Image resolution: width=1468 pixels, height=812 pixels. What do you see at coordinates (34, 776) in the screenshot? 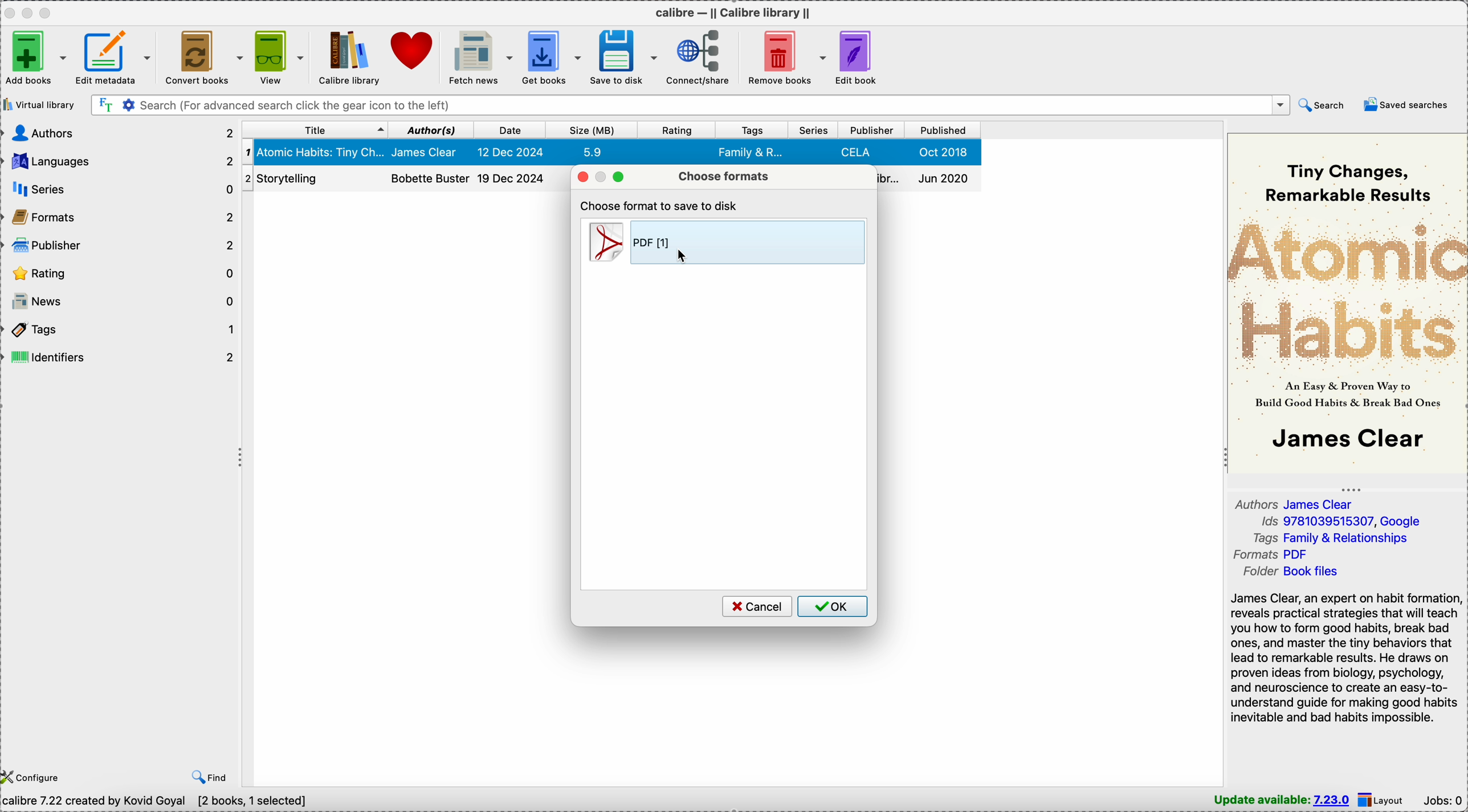
I see `configure` at bounding box center [34, 776].